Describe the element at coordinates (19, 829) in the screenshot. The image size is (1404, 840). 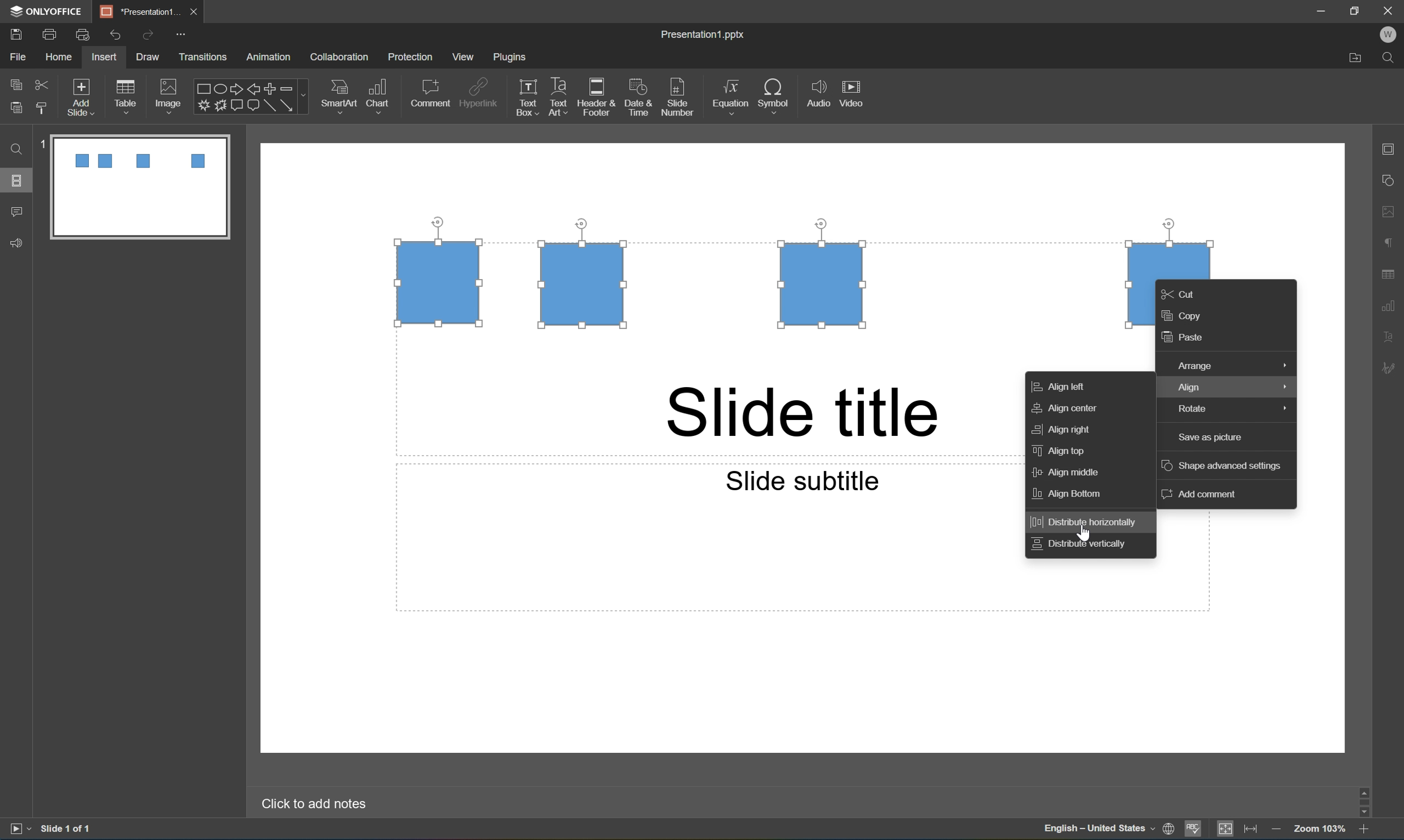
I see `start slideshow` at that location.